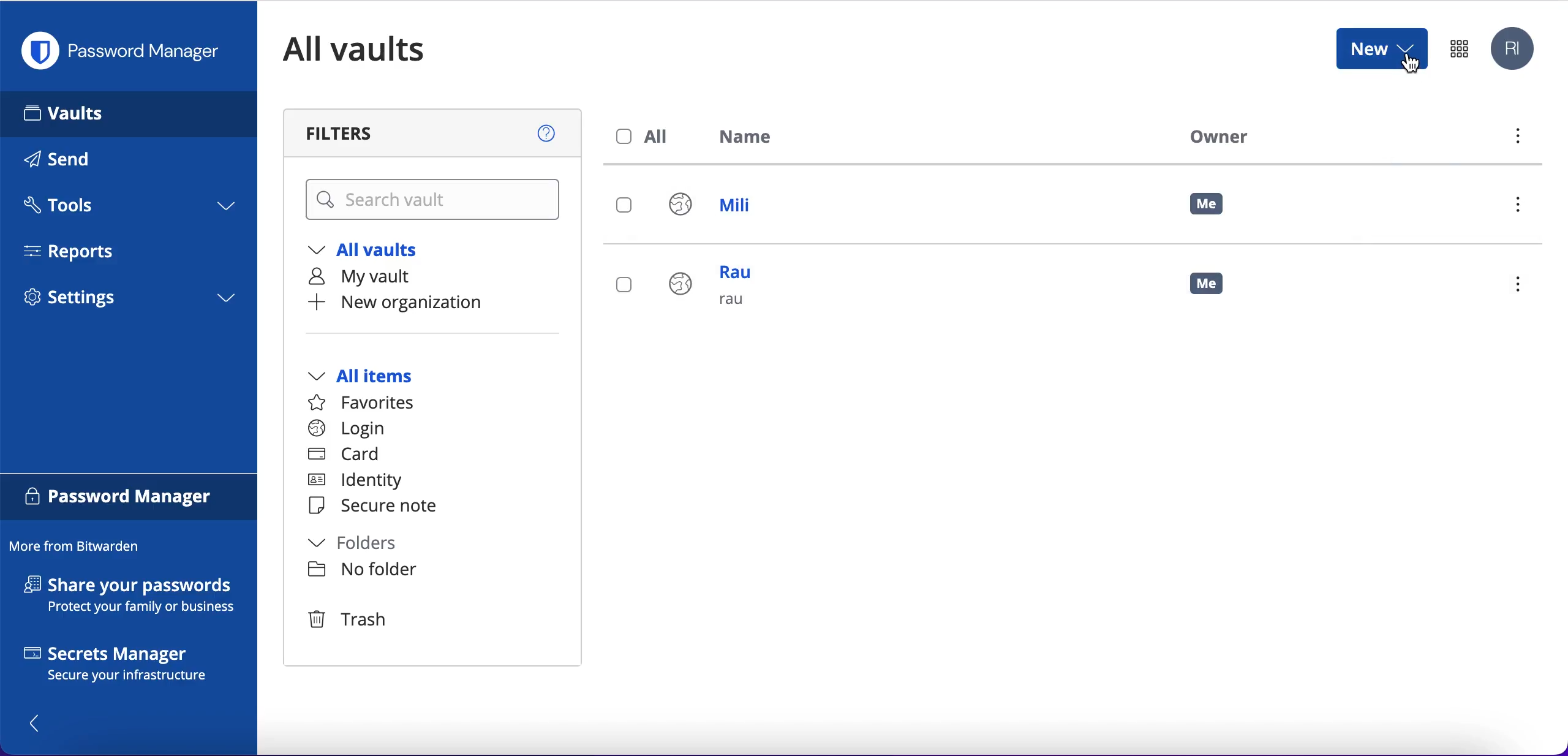 The image size is (1568, 756). What do you see at coordinates (1208, 205) in the screenshot?
I see `me` at bounding box center [1208, 205].